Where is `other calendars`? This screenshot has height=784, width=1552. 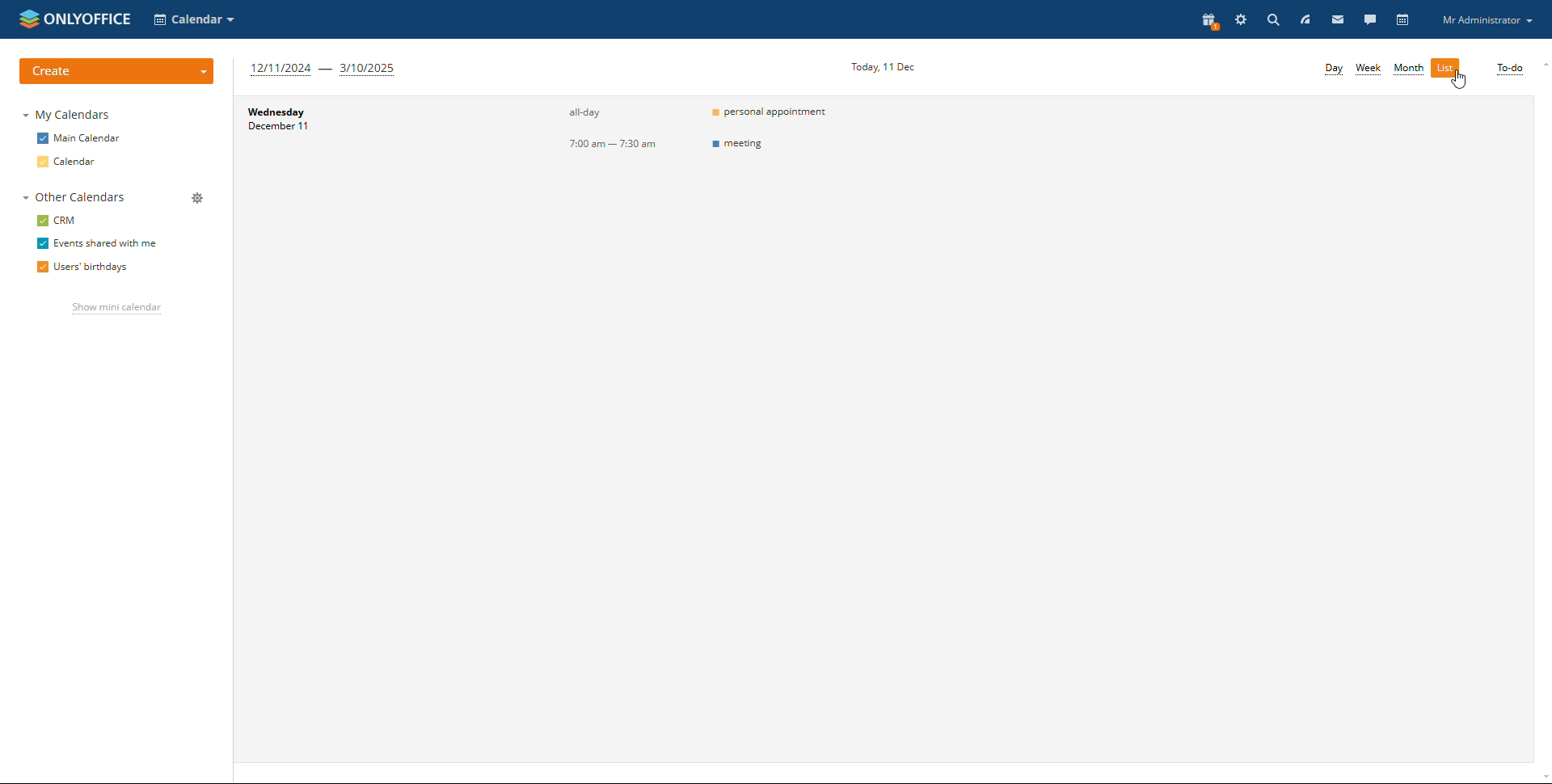
other calendars is located at coordinates (77, 196).